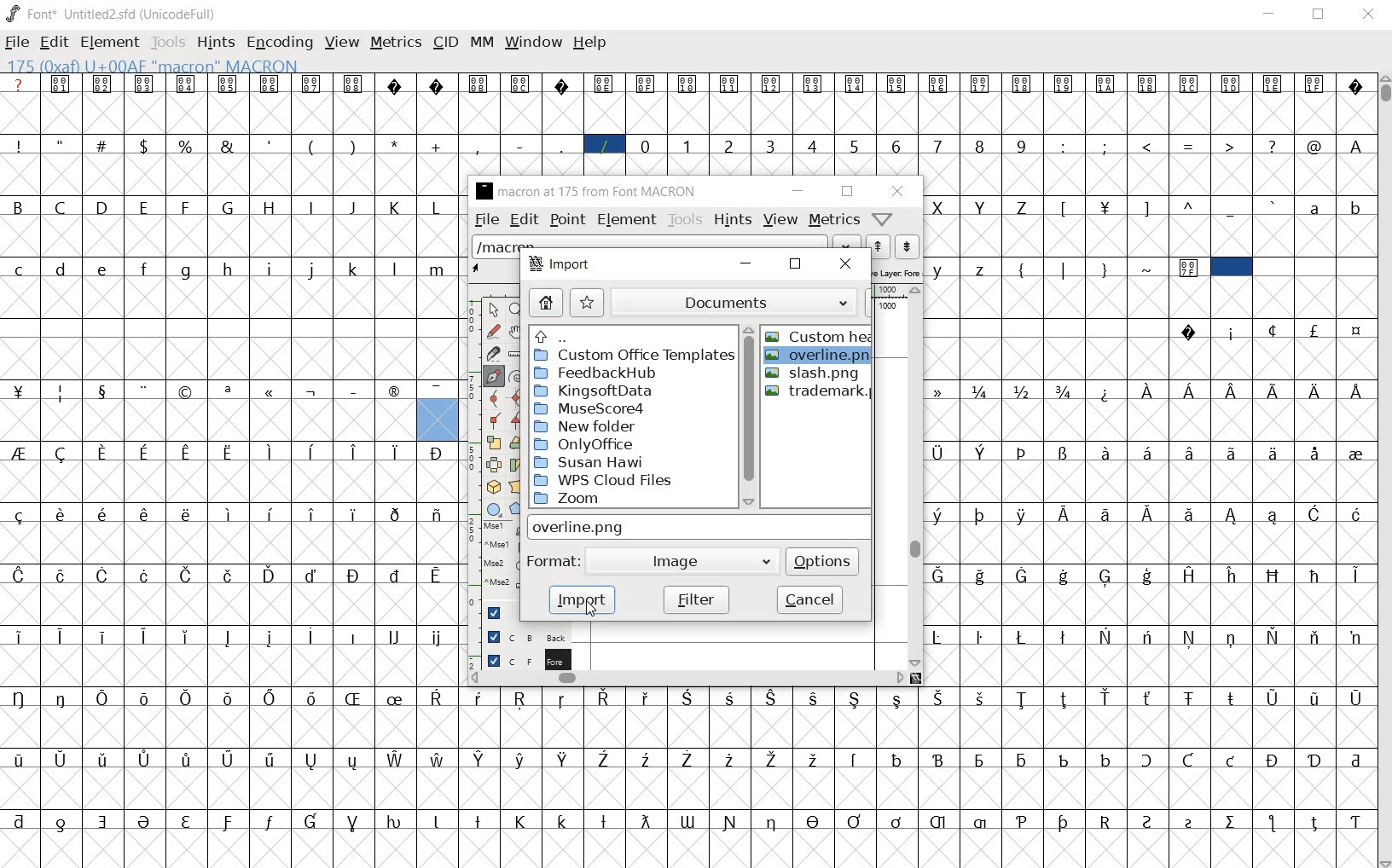 The width and height of the screenshot is (1392, 868). Describe the element at coordinates (103, 268) in the screenshot. I see `e` at that location.